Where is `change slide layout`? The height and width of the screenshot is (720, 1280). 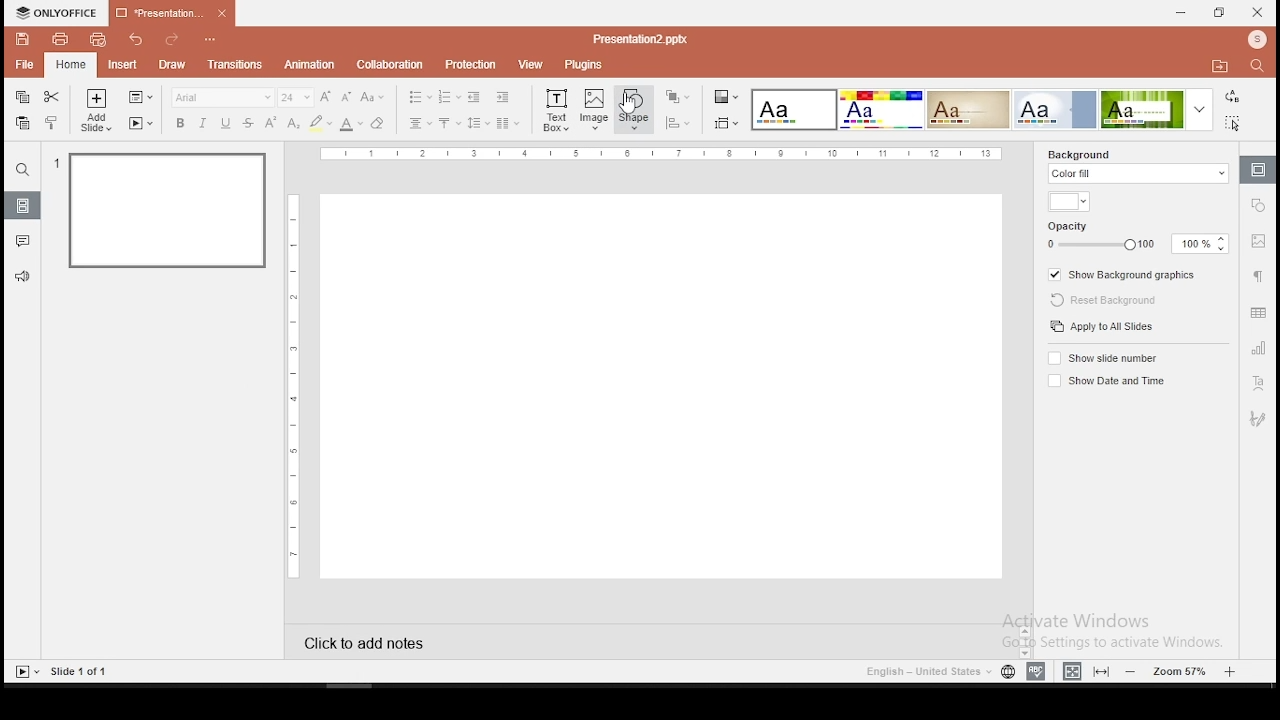
change slide layout is located at coordinates (139, 98).